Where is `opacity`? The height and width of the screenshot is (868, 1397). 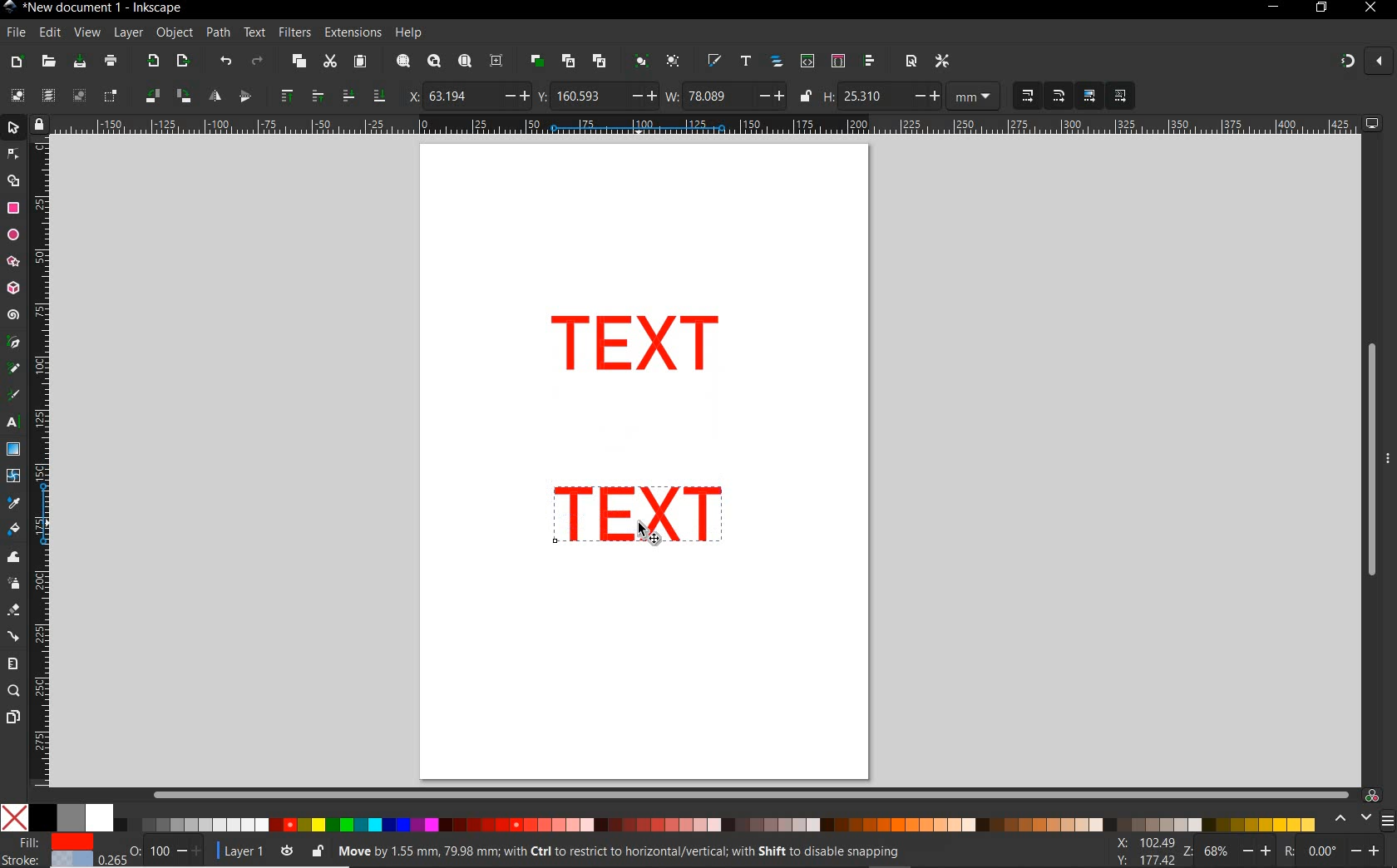 opacity is located at coordinates (153, 850).